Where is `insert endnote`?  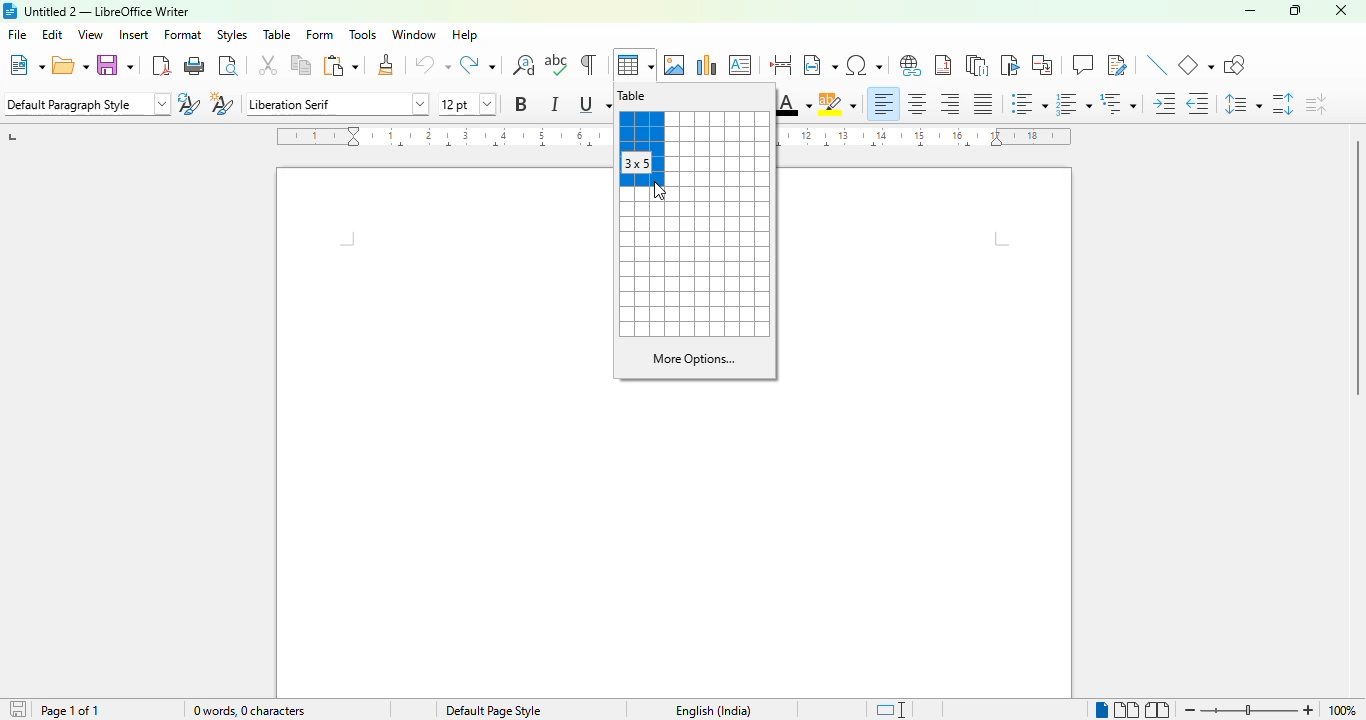 insert endnote is located at coordinates (978, 65).